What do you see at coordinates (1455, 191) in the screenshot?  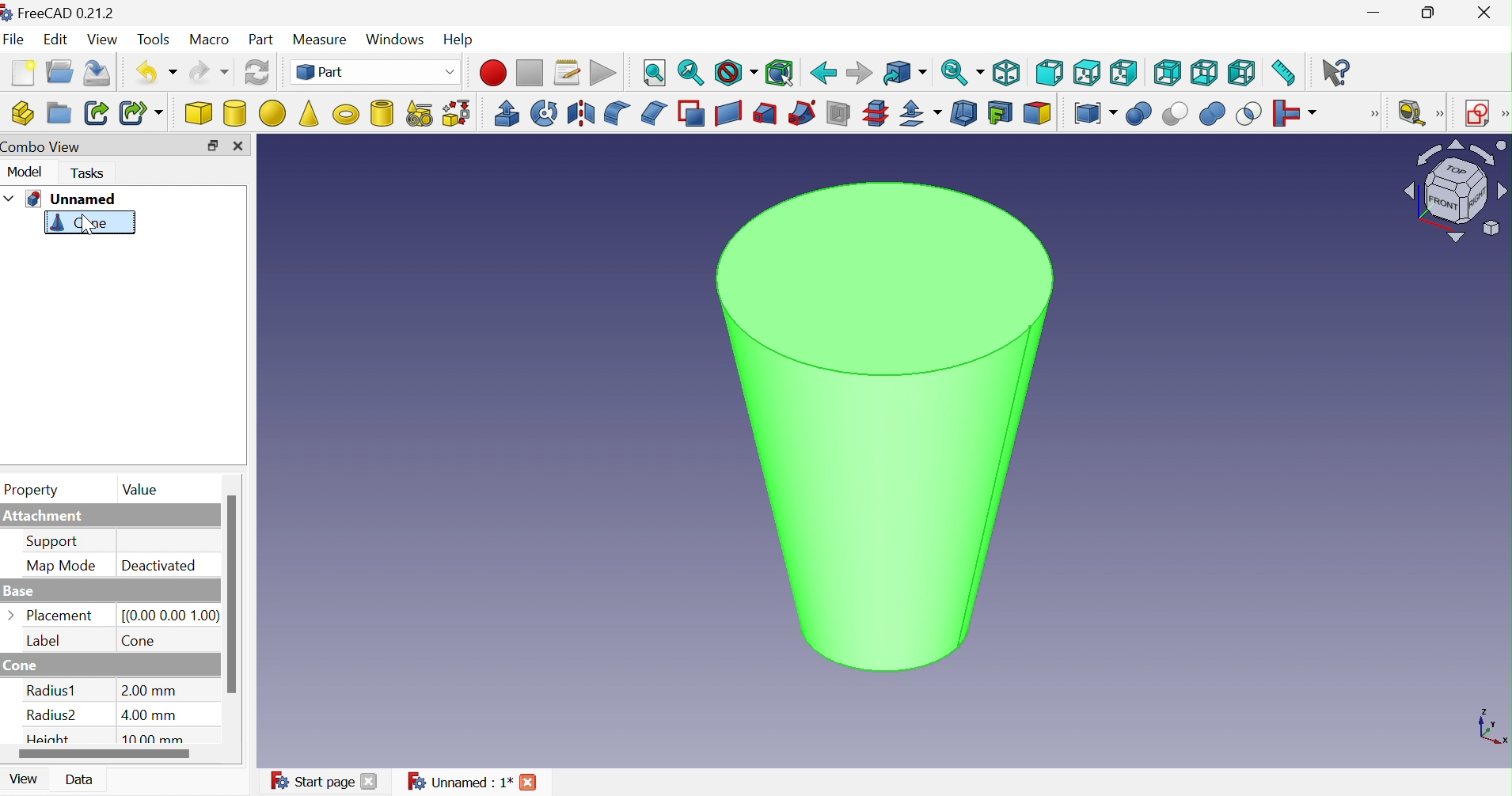 I see `Workbench layout` at bounding box center [1455, 191].